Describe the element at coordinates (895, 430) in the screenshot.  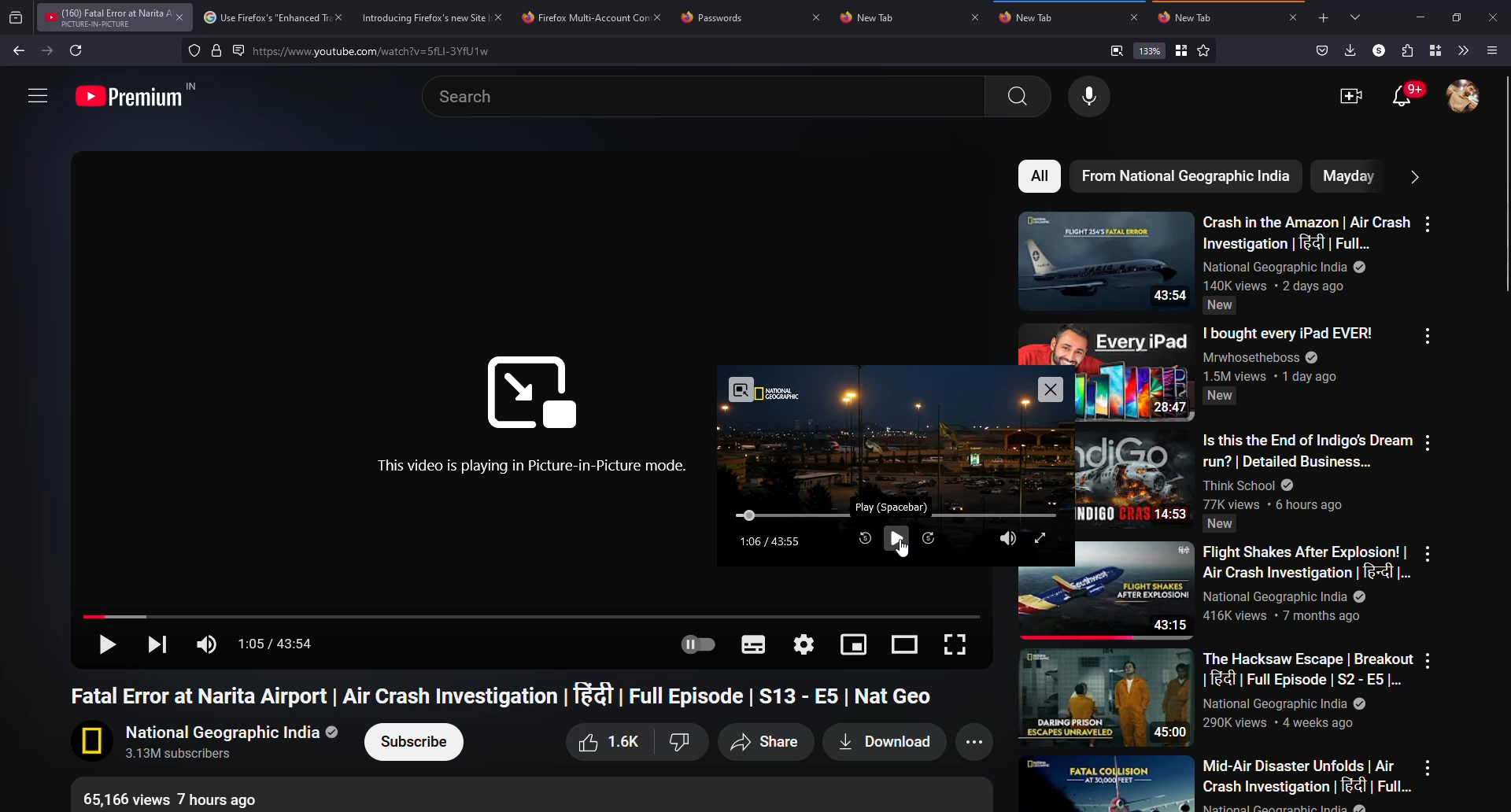
I see `Video preview` at that location.